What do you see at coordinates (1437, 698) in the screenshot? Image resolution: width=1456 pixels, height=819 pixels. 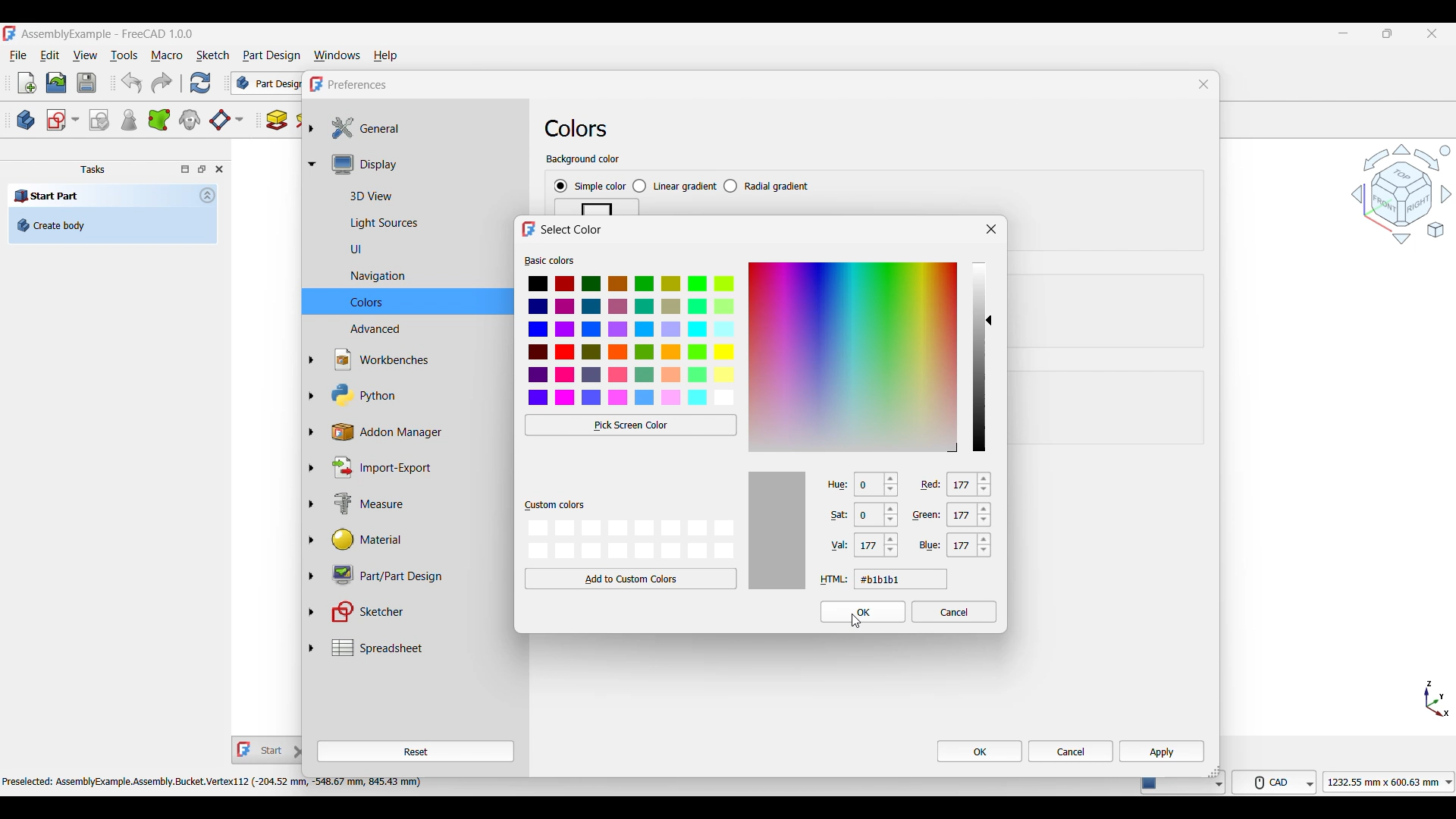 I see `Axis navigation` at bounding box center [1437, 698].